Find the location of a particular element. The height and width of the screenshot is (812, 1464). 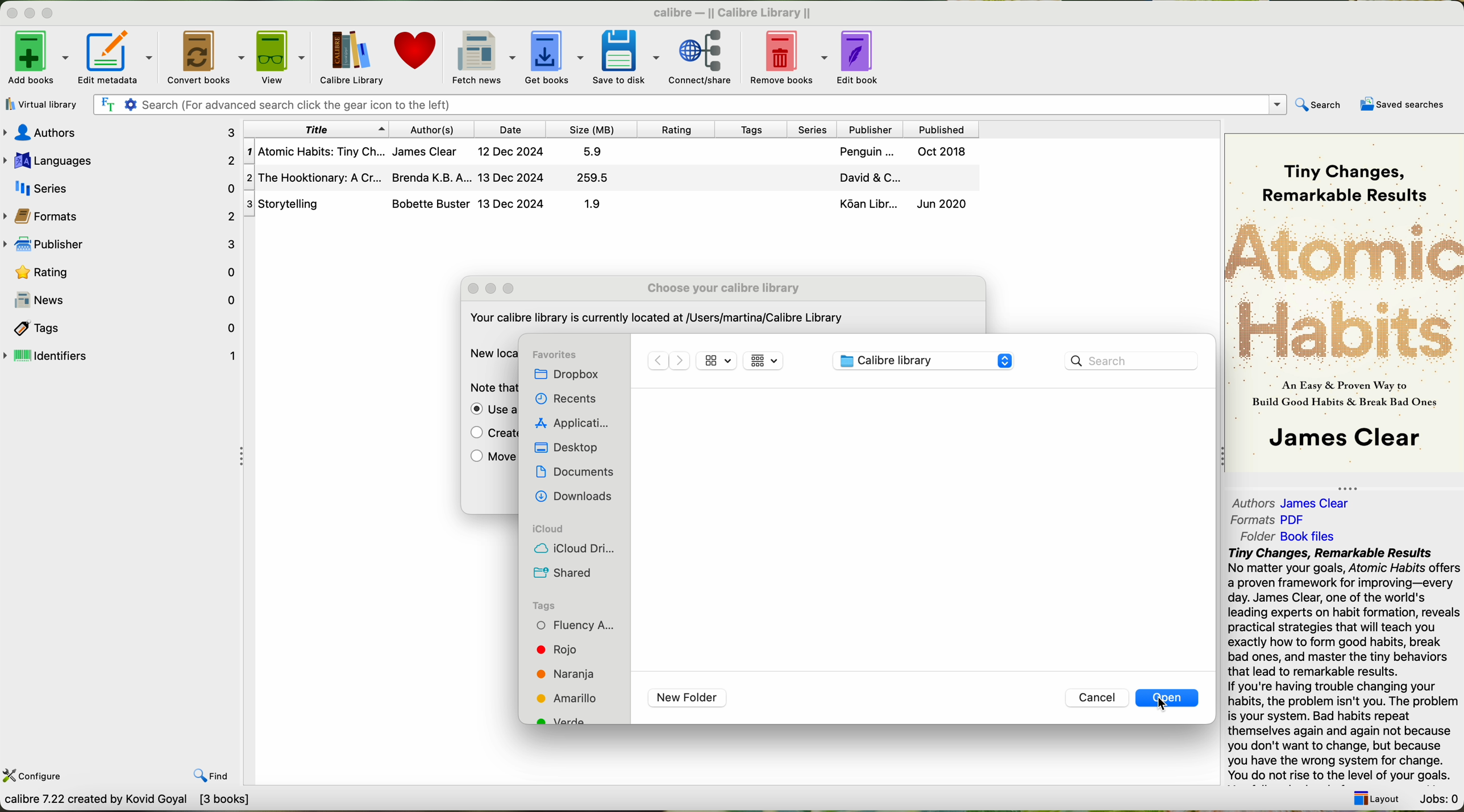

Jobs: 0 is located at coordinates (1438, 798).